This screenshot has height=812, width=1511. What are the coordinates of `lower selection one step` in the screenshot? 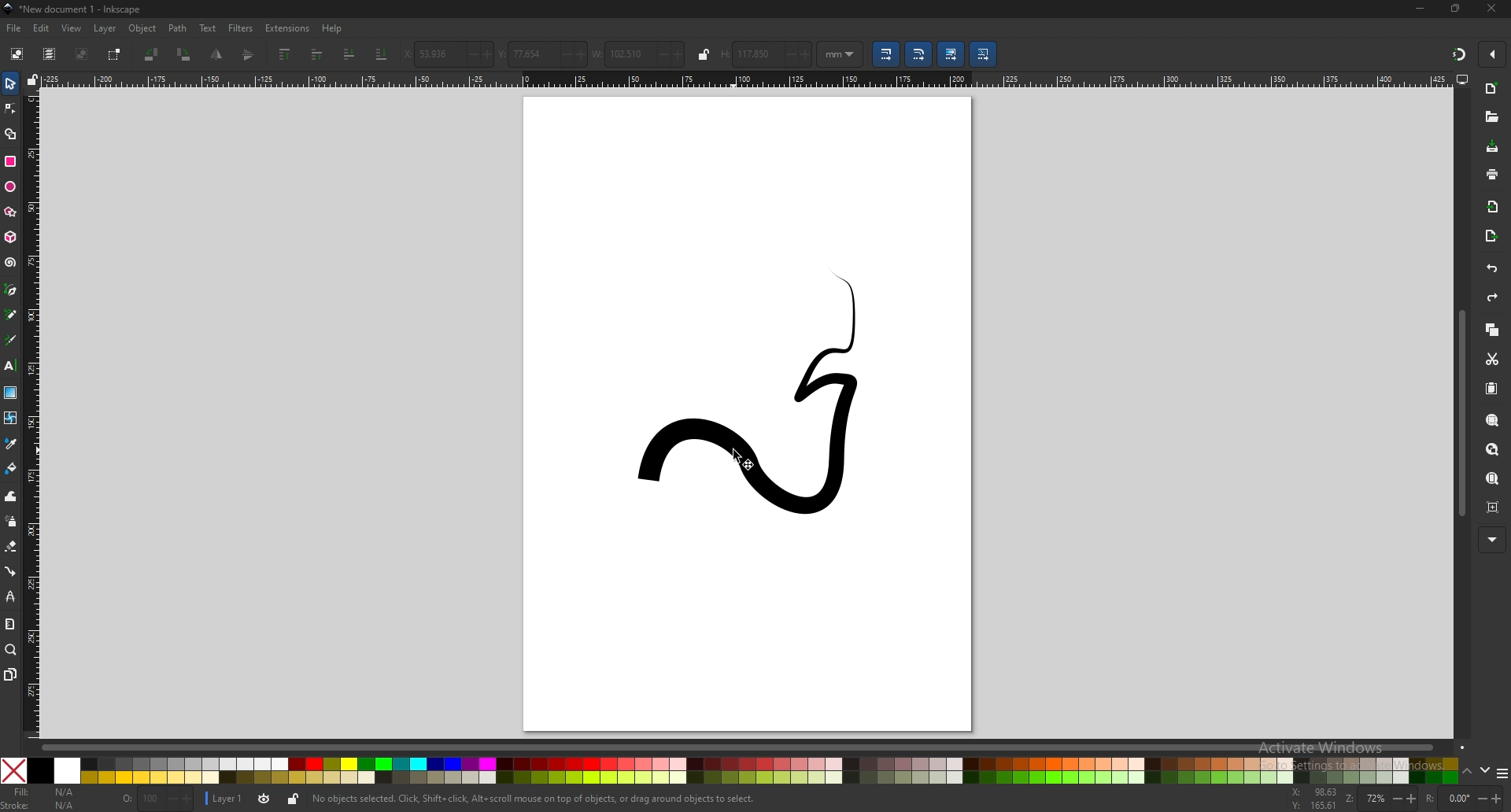 It's located at (349, 54).